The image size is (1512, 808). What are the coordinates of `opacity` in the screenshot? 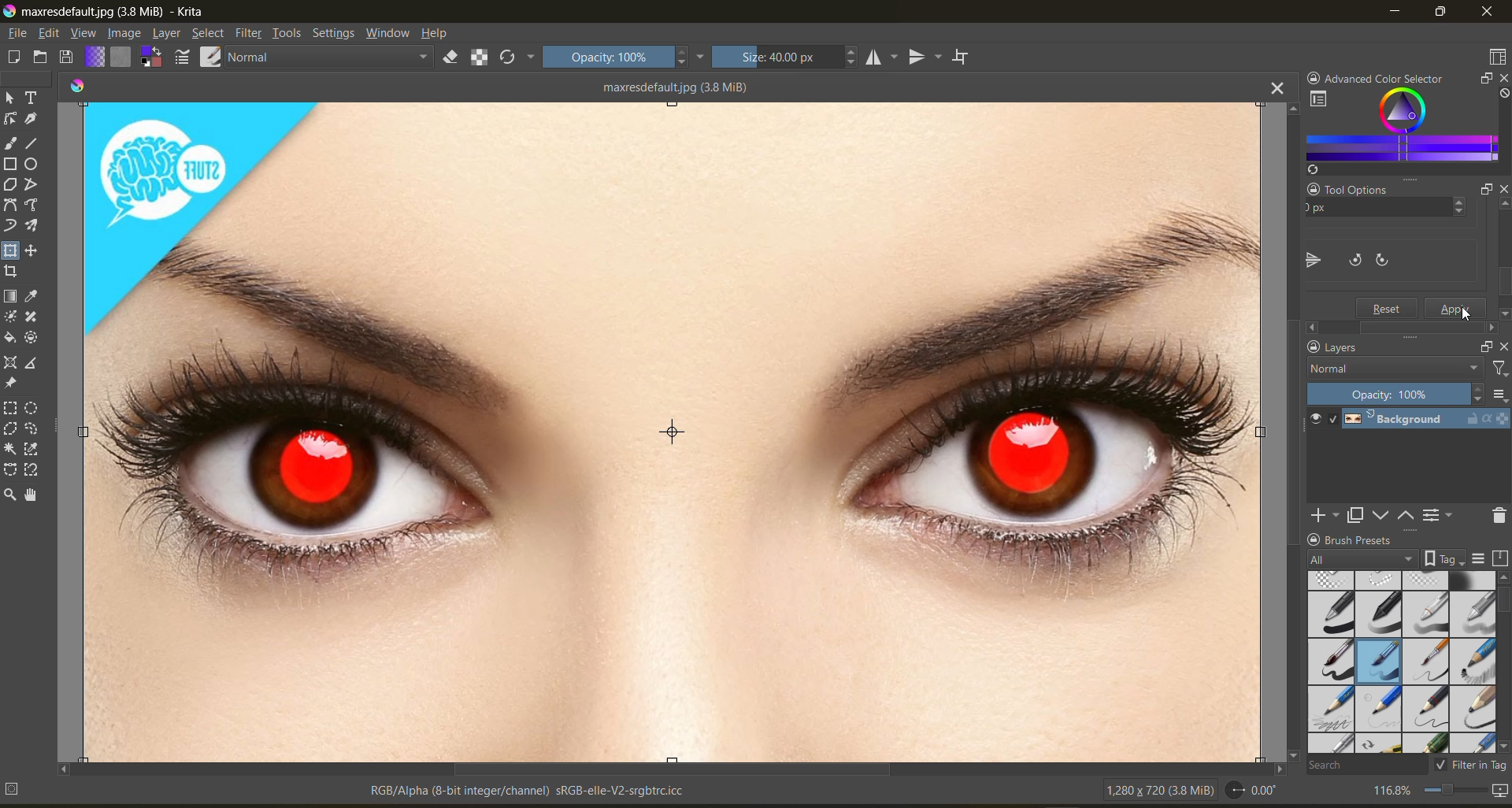 It's located at (624, 59).